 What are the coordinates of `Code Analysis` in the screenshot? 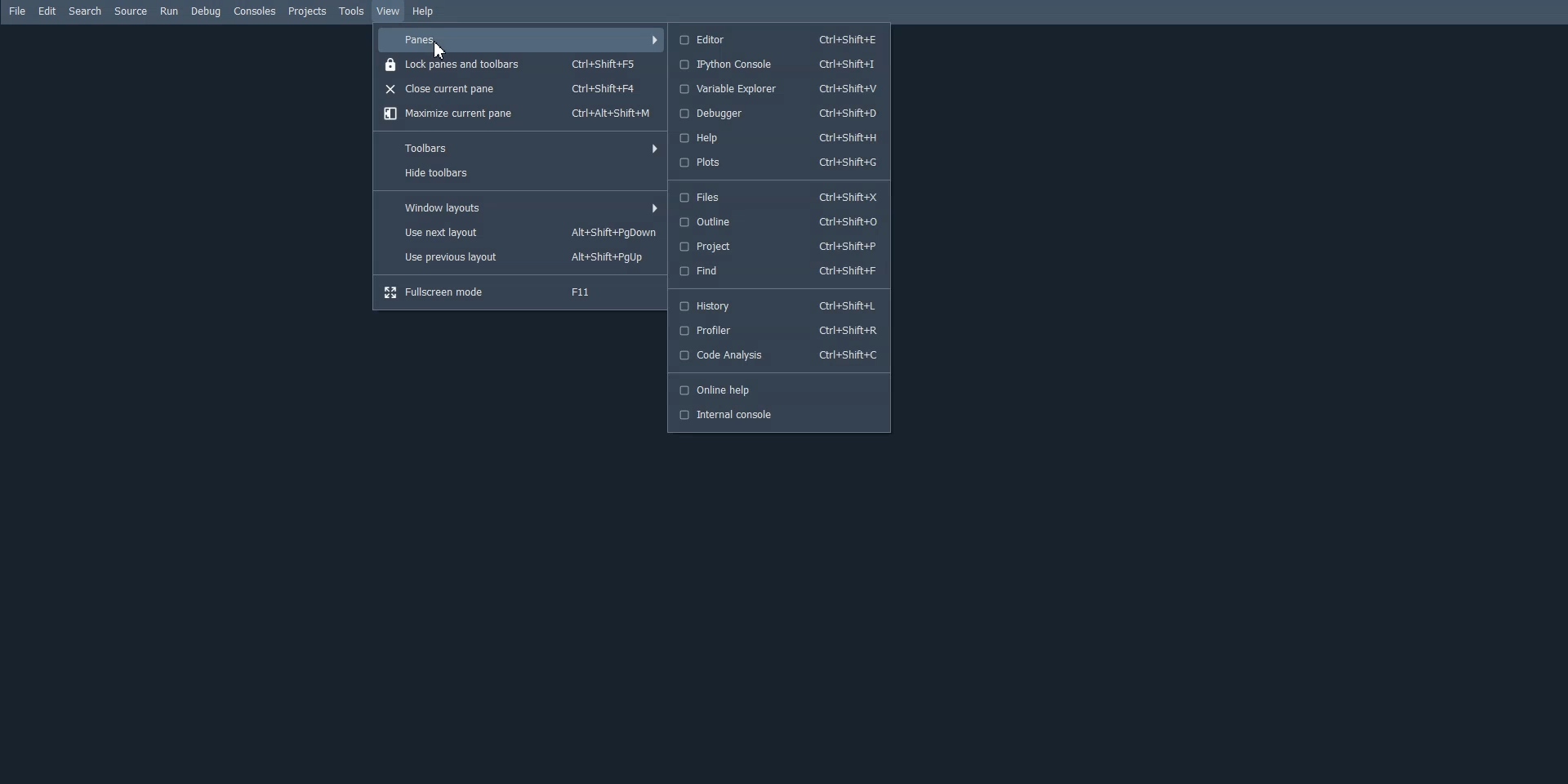 It's located at (778, 356).